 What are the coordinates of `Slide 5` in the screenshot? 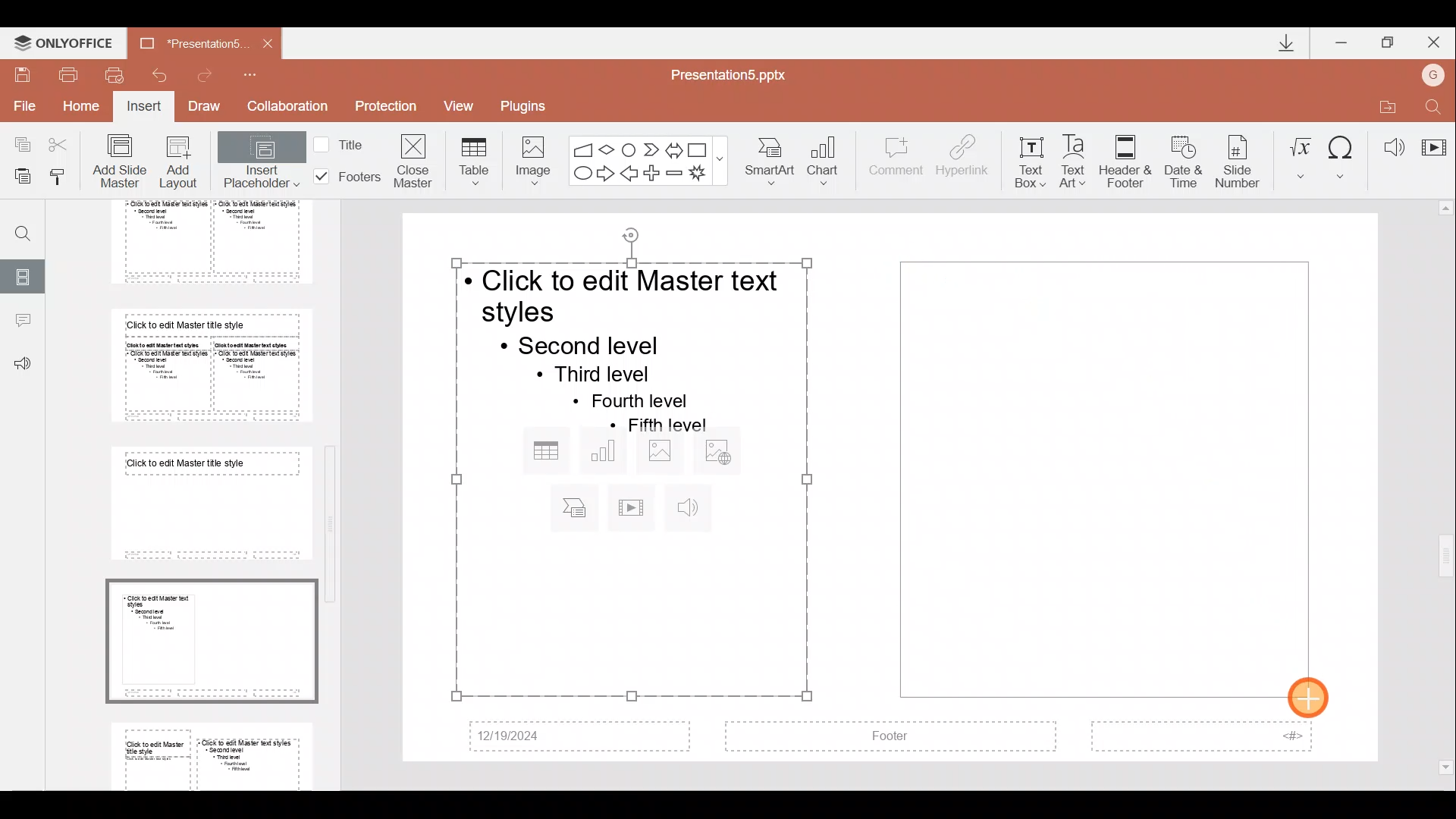 It's located at (199, 242).